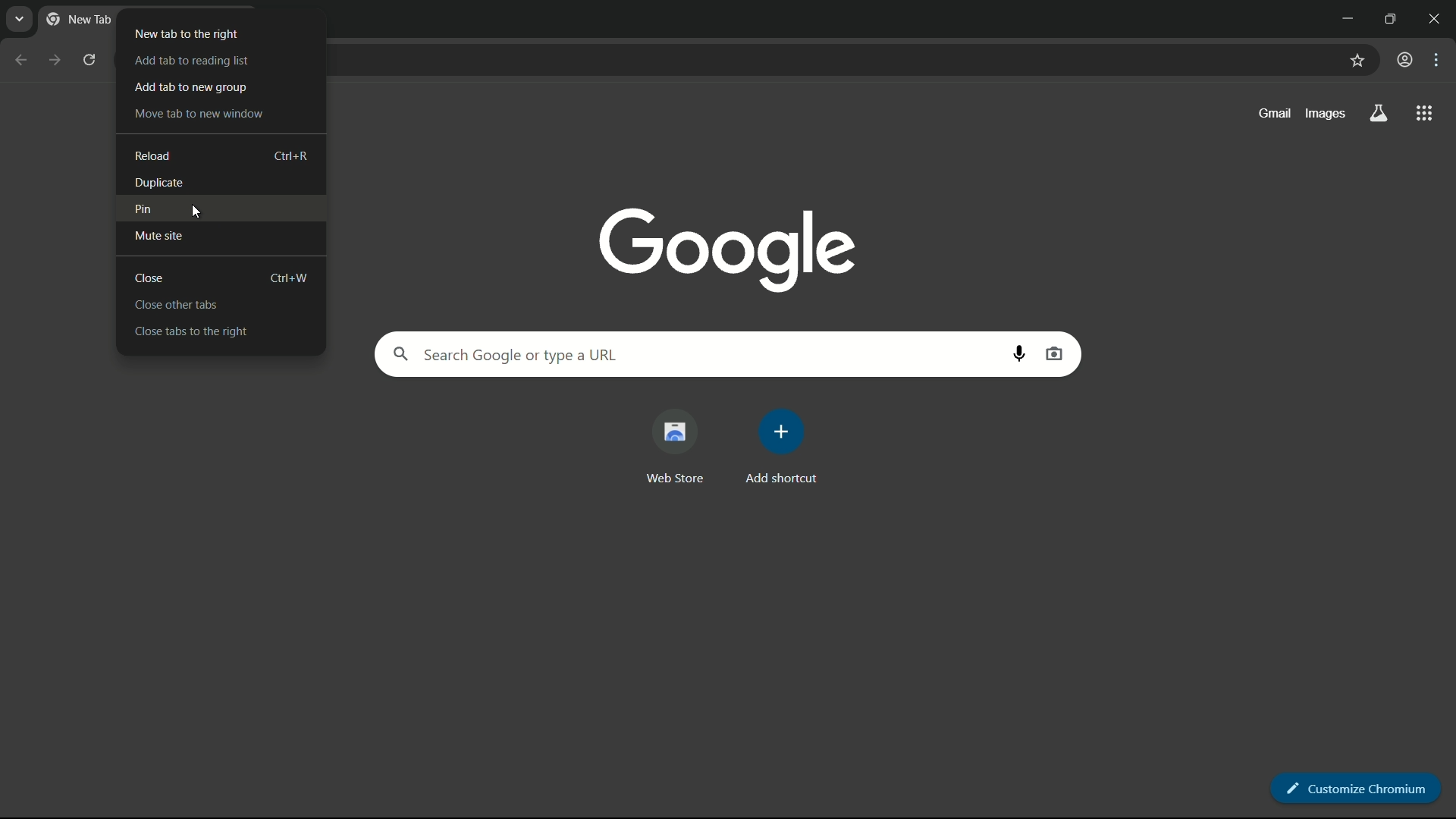  I want to click on customize chromium, so click(1358, 788).